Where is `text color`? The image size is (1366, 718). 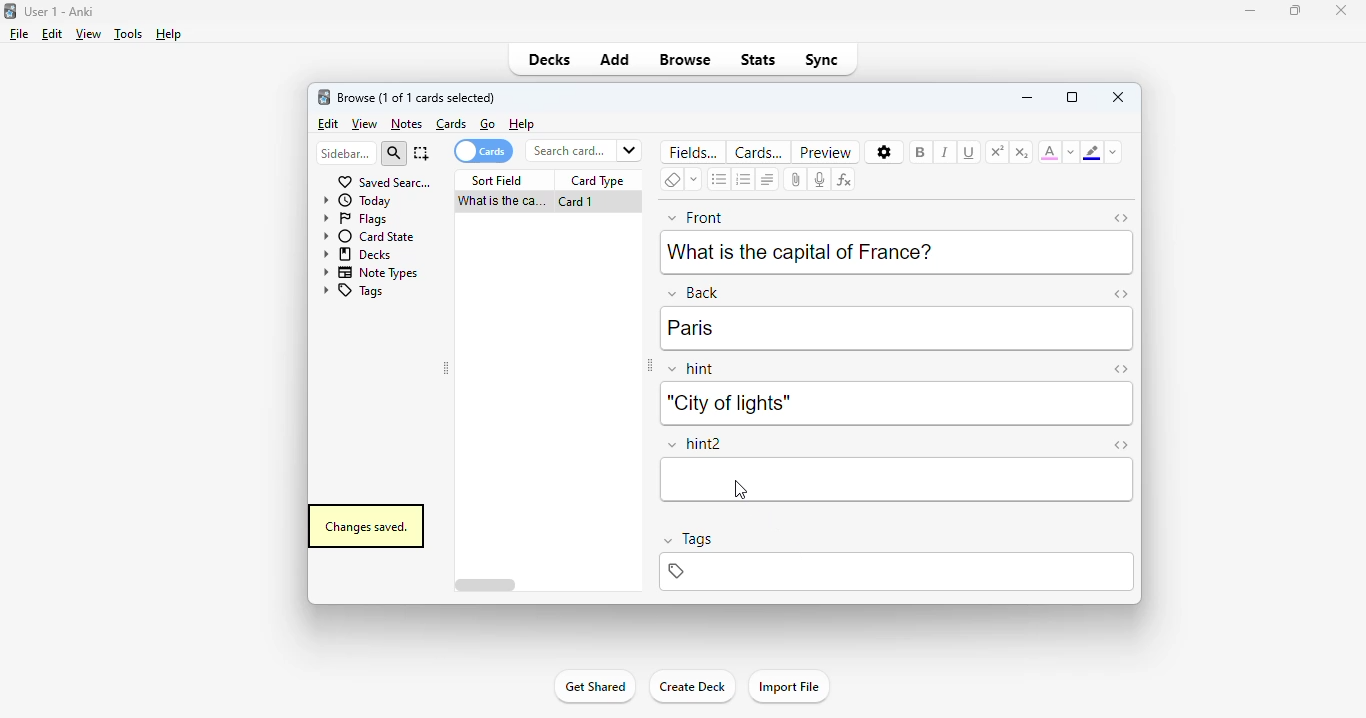 text color is located at coordinates (1050, 151).